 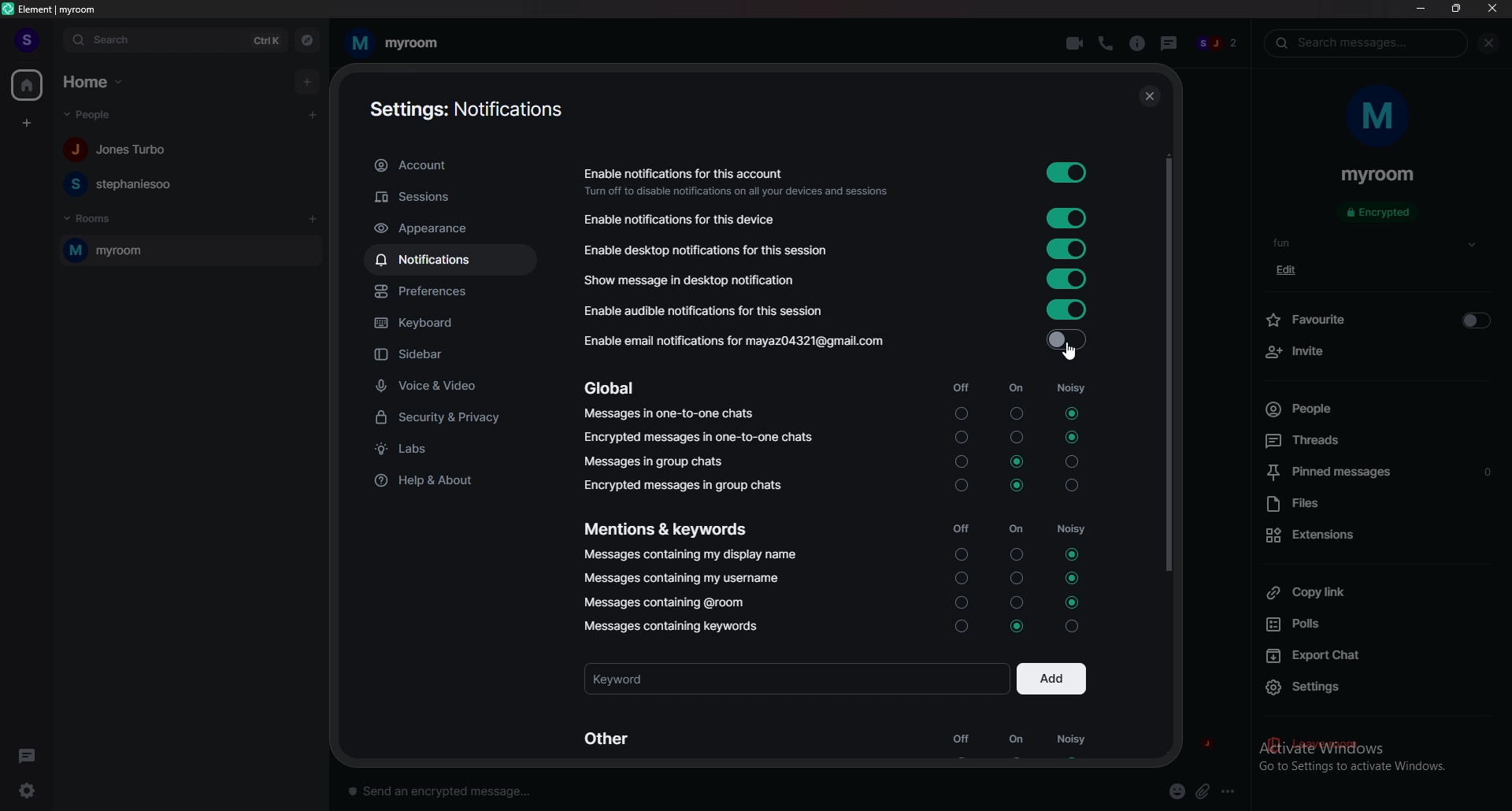 What do you see at coordinates (454, 293) in the screenshot?
I see `preferences` at bounding box center [454, 293].